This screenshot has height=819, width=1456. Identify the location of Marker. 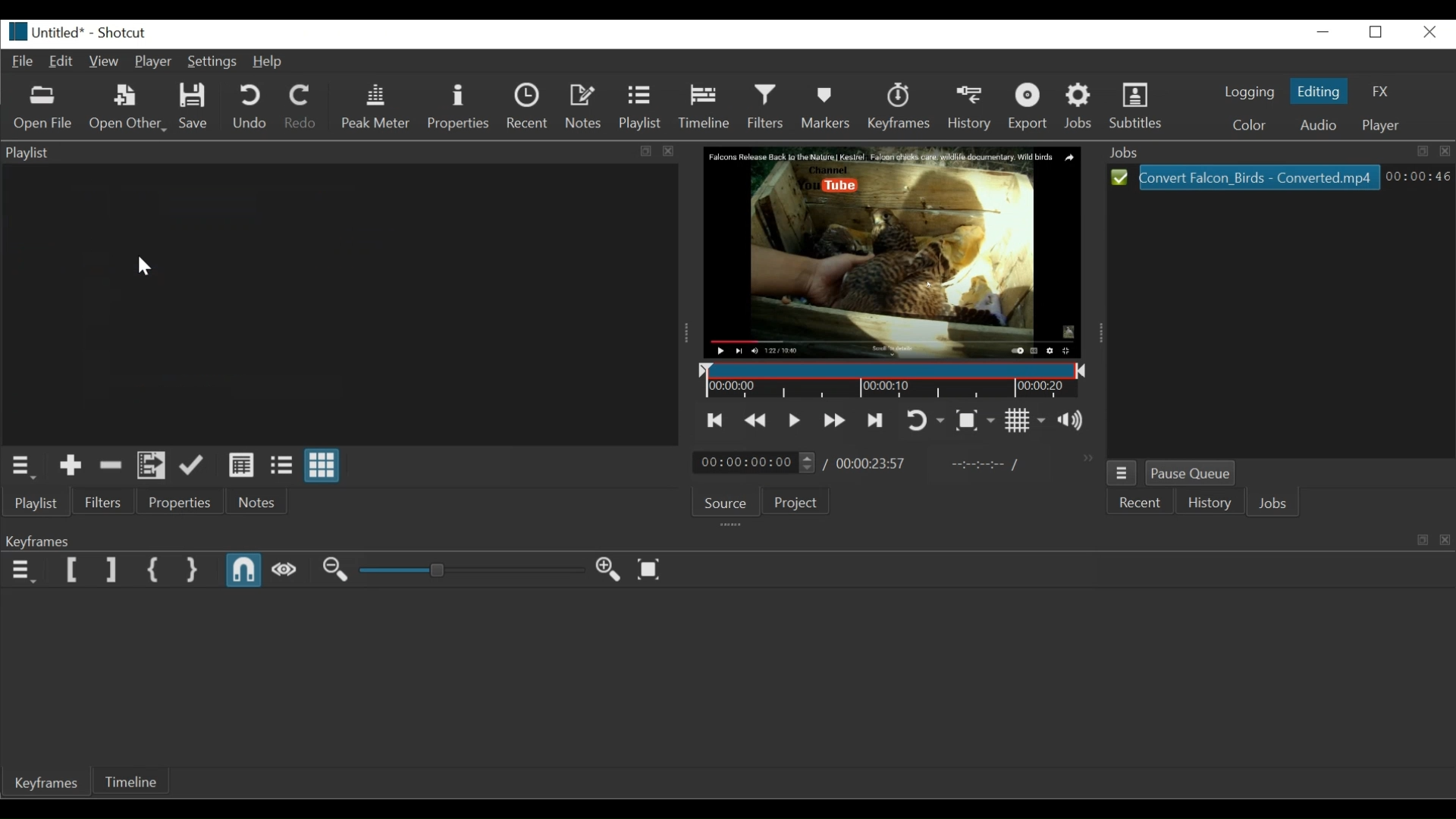
(825, 108).